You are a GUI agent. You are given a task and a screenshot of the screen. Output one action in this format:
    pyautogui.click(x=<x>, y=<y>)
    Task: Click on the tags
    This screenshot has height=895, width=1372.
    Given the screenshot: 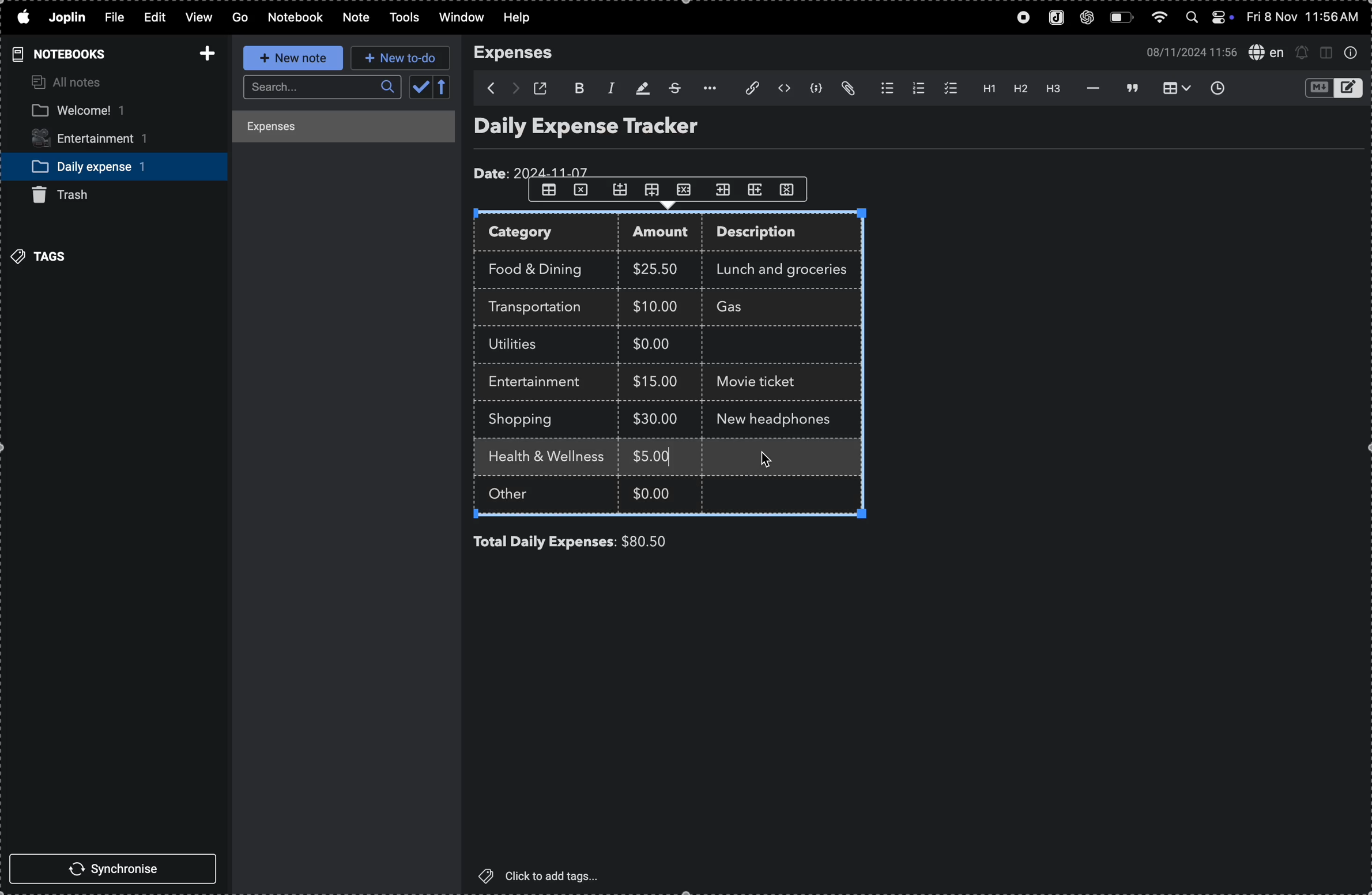 What is the action you would take?
    pyautogui.click(x=43, y=255)
    